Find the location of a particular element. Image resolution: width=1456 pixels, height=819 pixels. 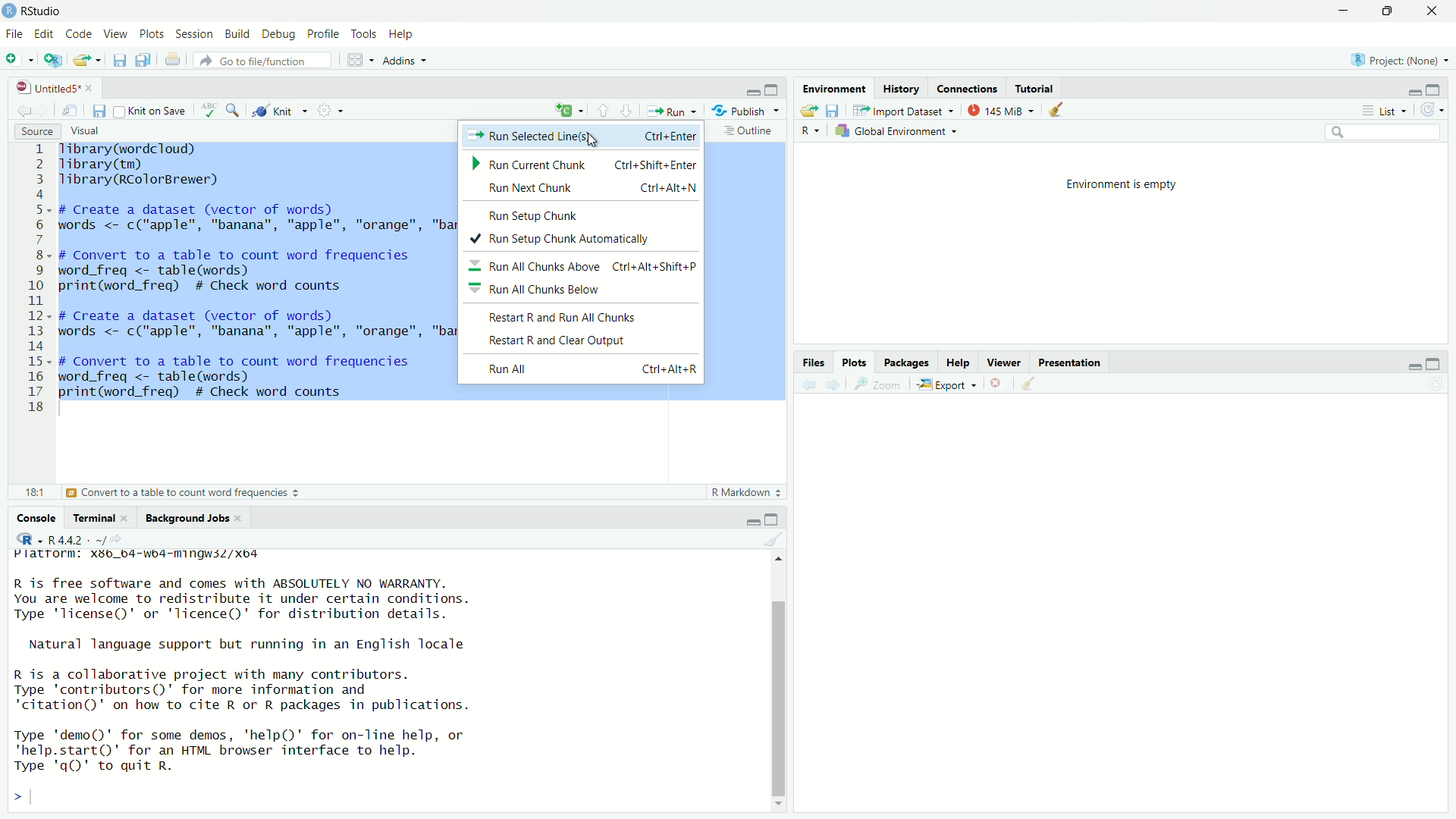

> is located at coordinates (22, 798).